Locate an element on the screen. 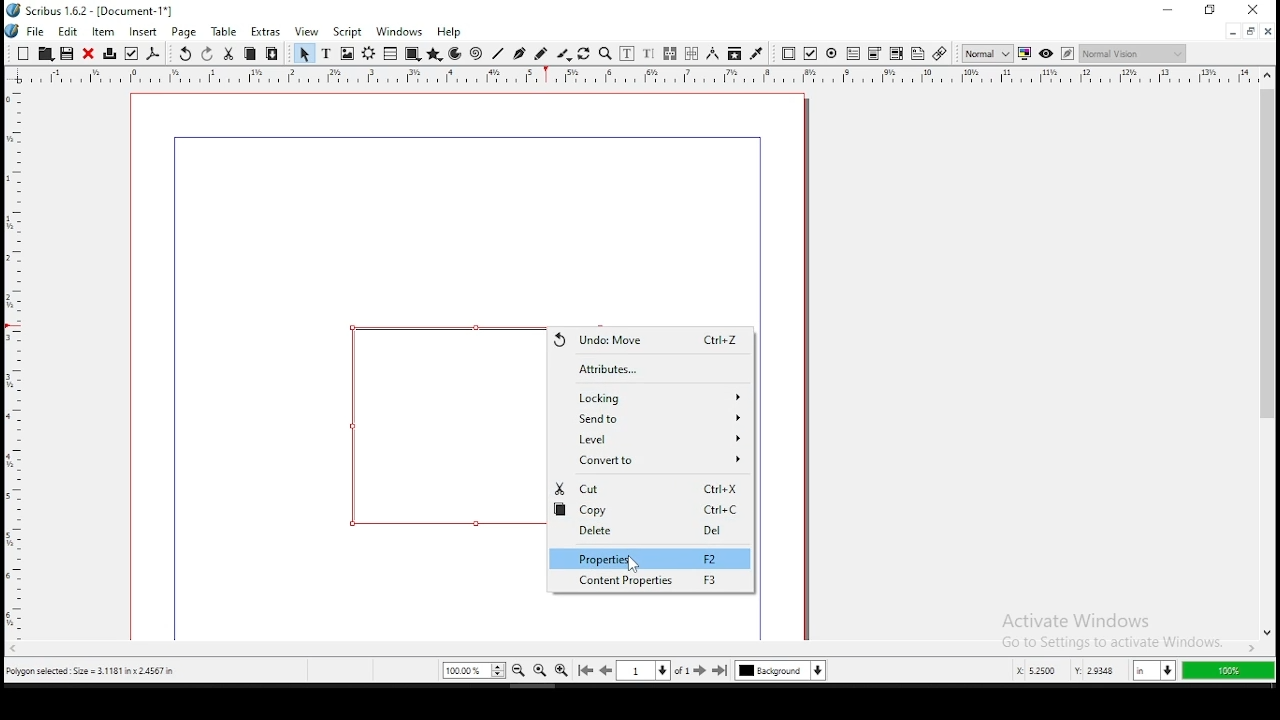 The image size is (1280, 720). delete is located at coordinates (649, 530).